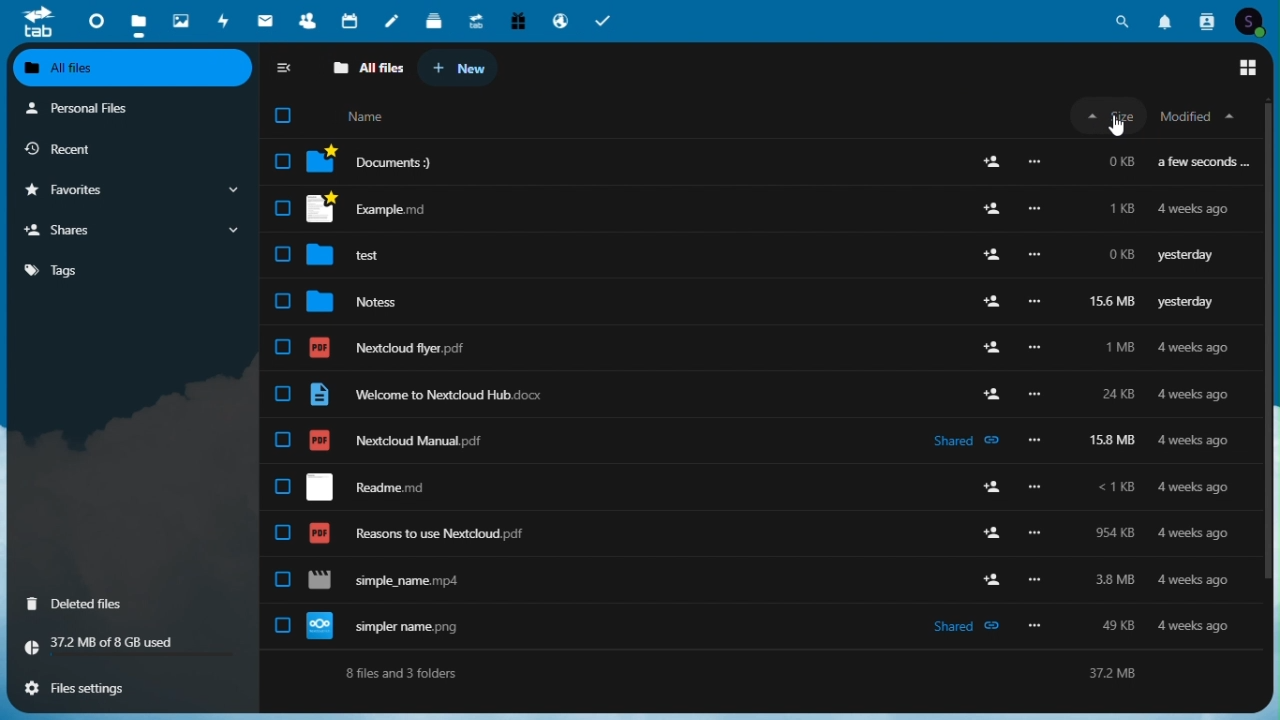  What do you see at coordinates (1248, 68) in the screenshot?
I see `switch to grid view` at bounding box center [1248, 68].